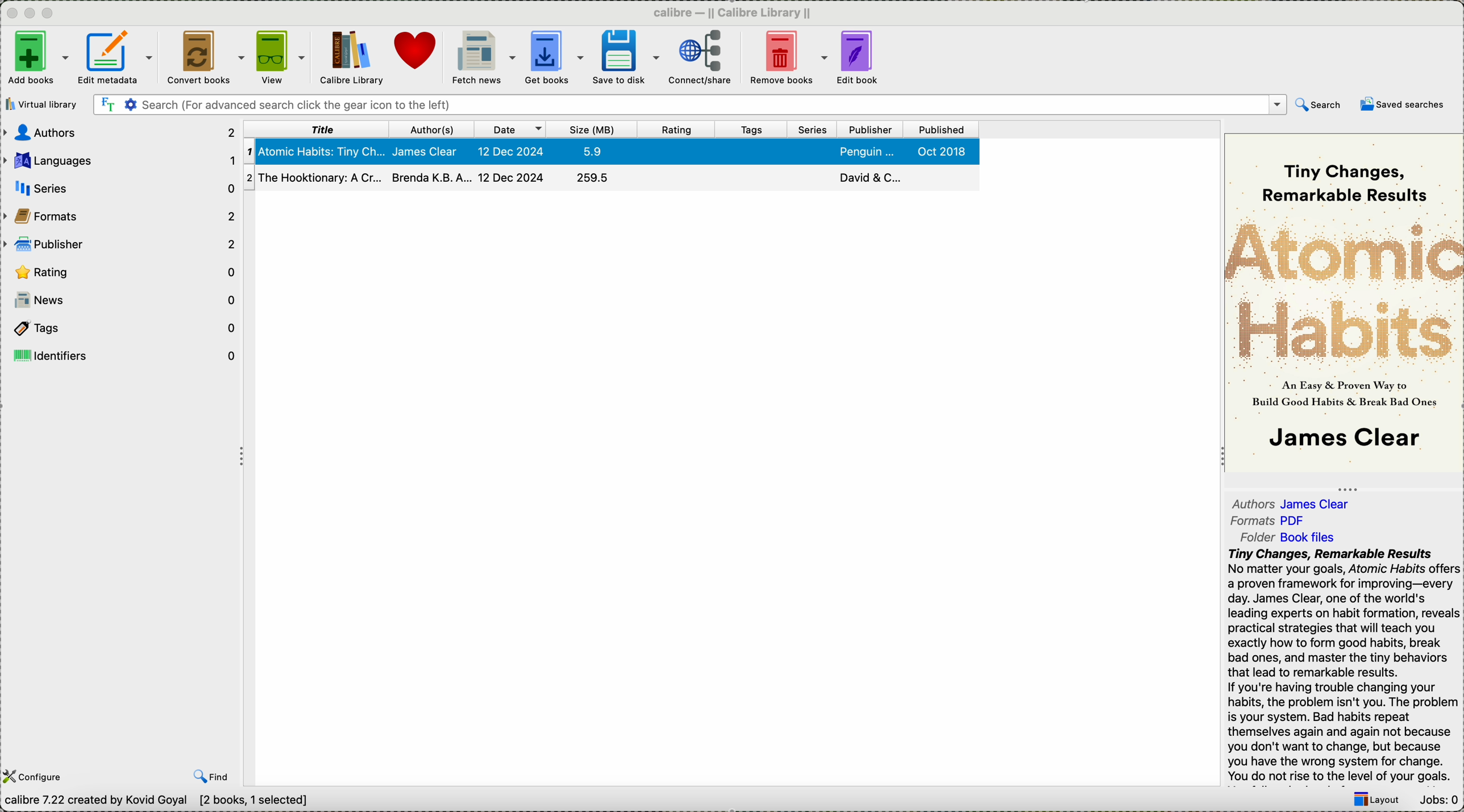  I want to click on news, so click(126, 300).